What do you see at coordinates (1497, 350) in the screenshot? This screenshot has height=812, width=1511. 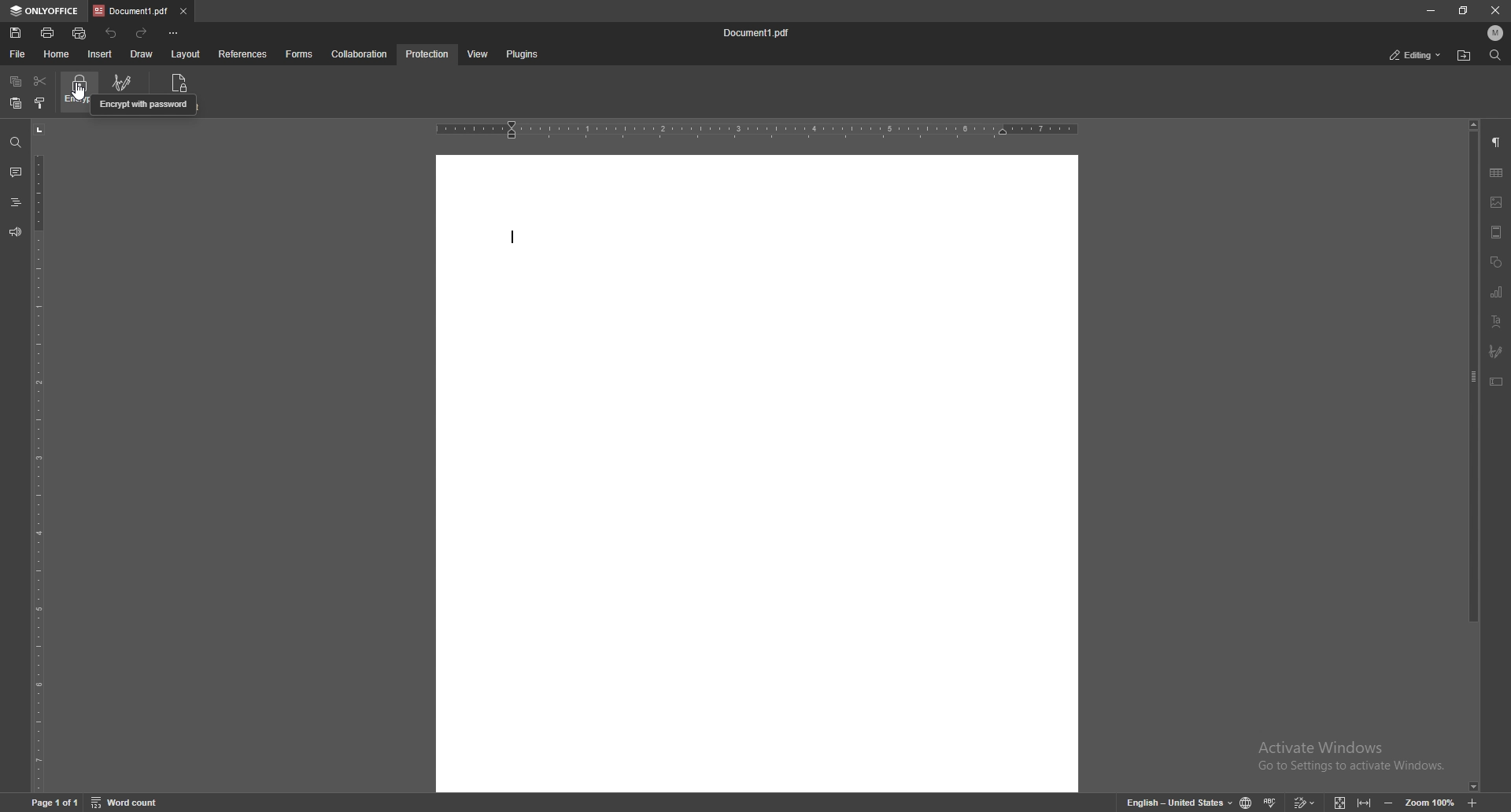 I see `signature field` at bounding box center [1497, 350].